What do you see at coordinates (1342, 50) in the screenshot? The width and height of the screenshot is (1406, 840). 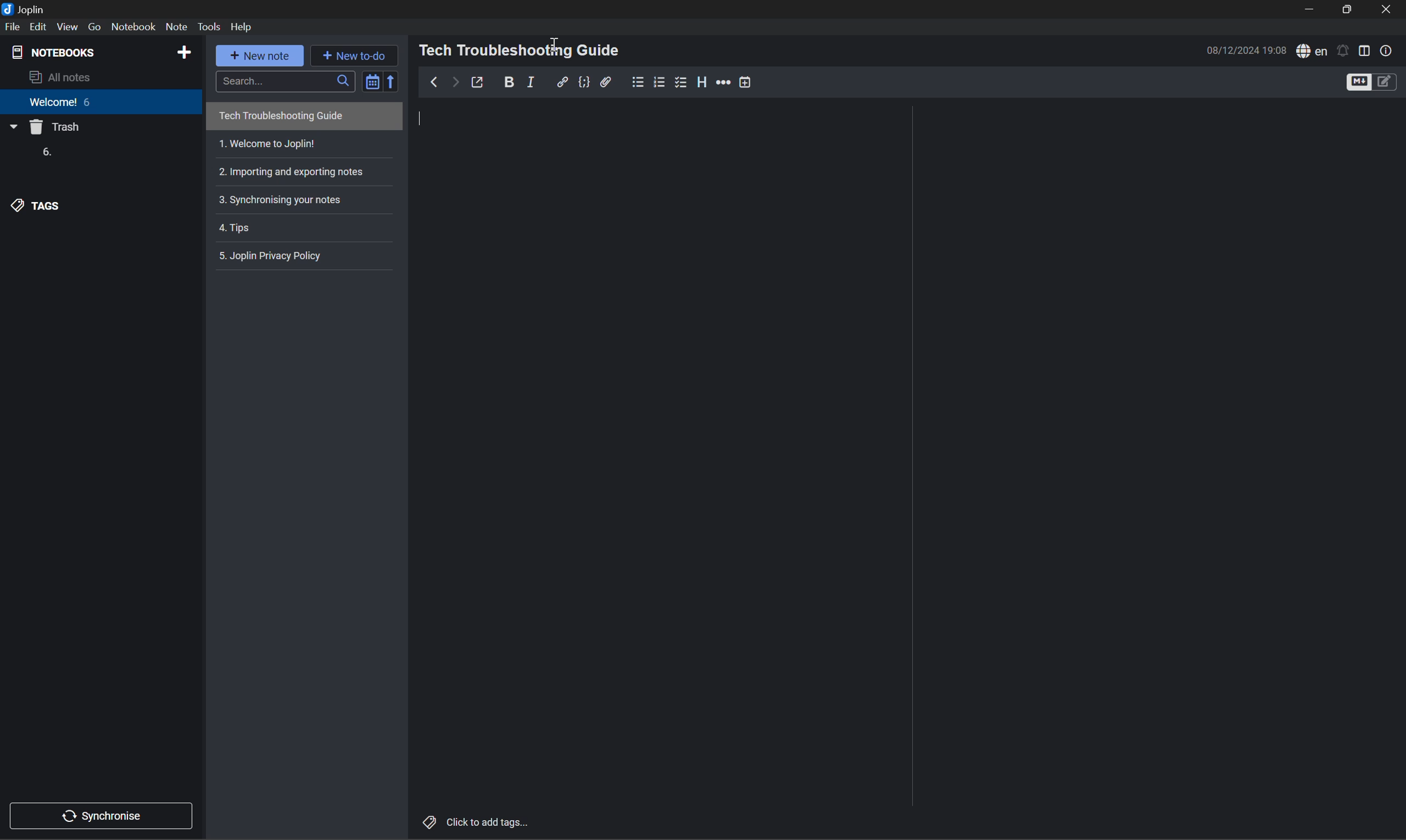 I see `Set alarm` at bounding box center [1342, 50].